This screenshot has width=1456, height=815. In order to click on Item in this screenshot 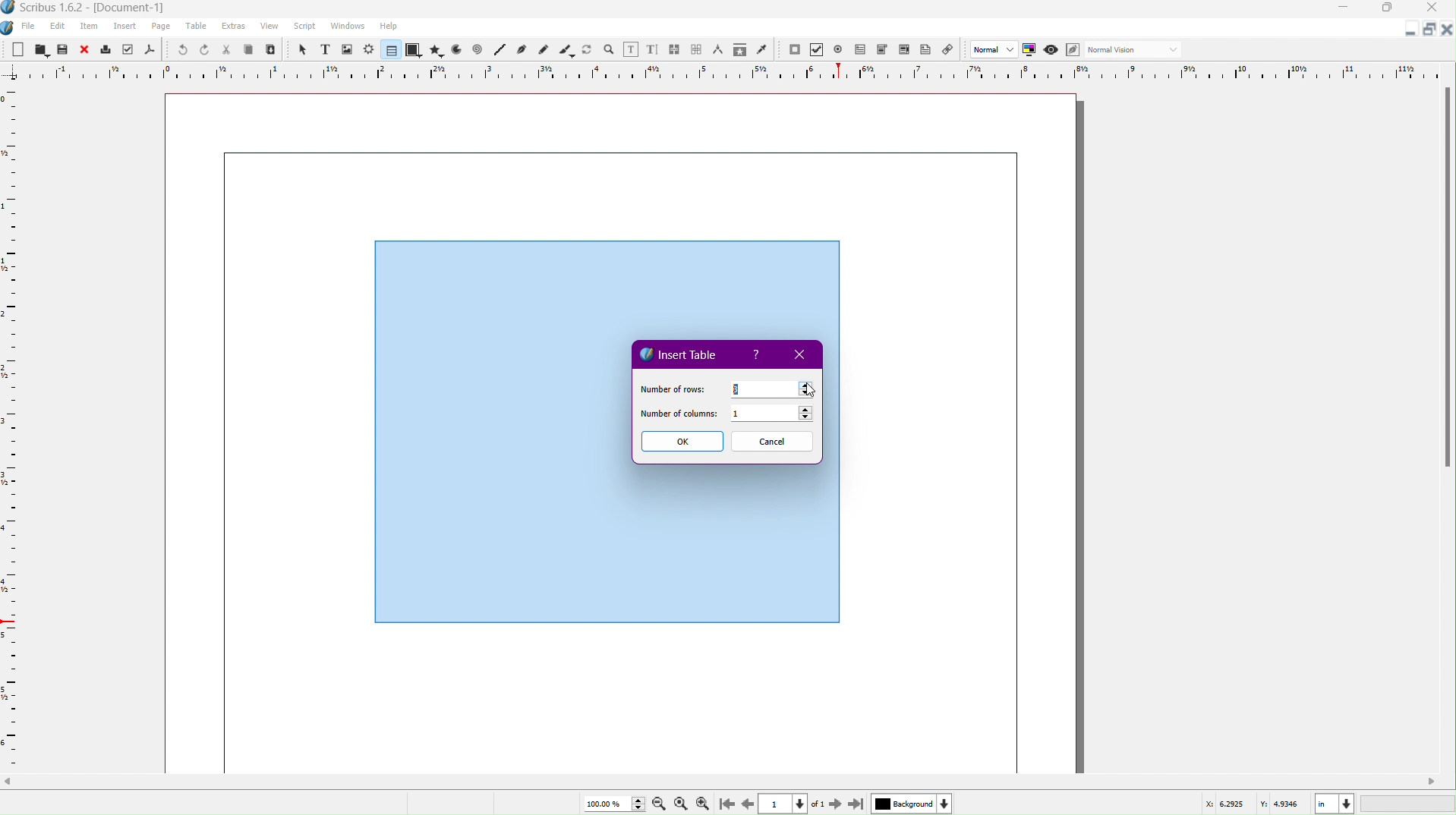, I will do `click(90, 27)`.